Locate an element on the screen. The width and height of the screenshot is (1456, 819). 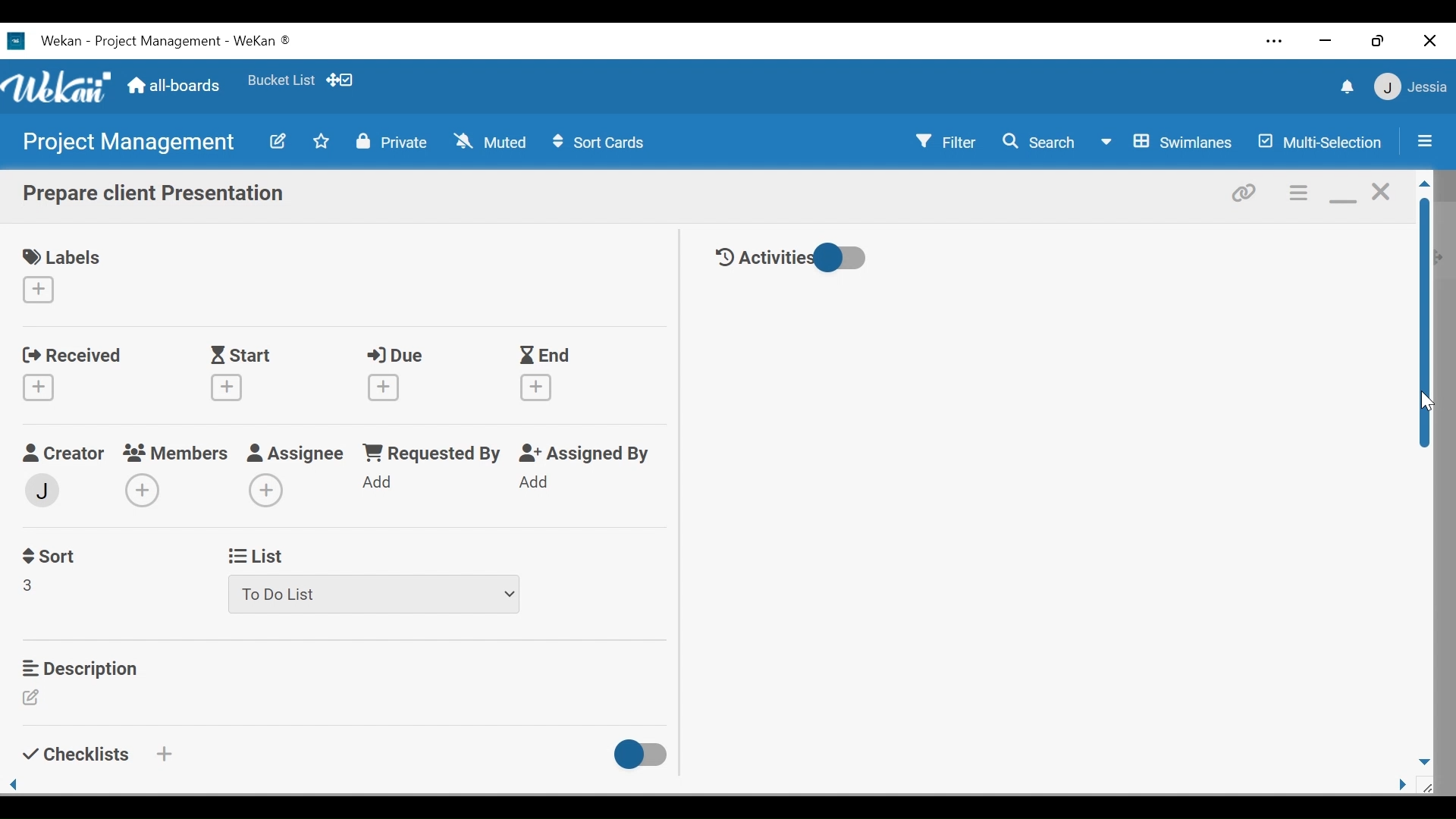
Sort Cards is located at coordinates (601, 142).